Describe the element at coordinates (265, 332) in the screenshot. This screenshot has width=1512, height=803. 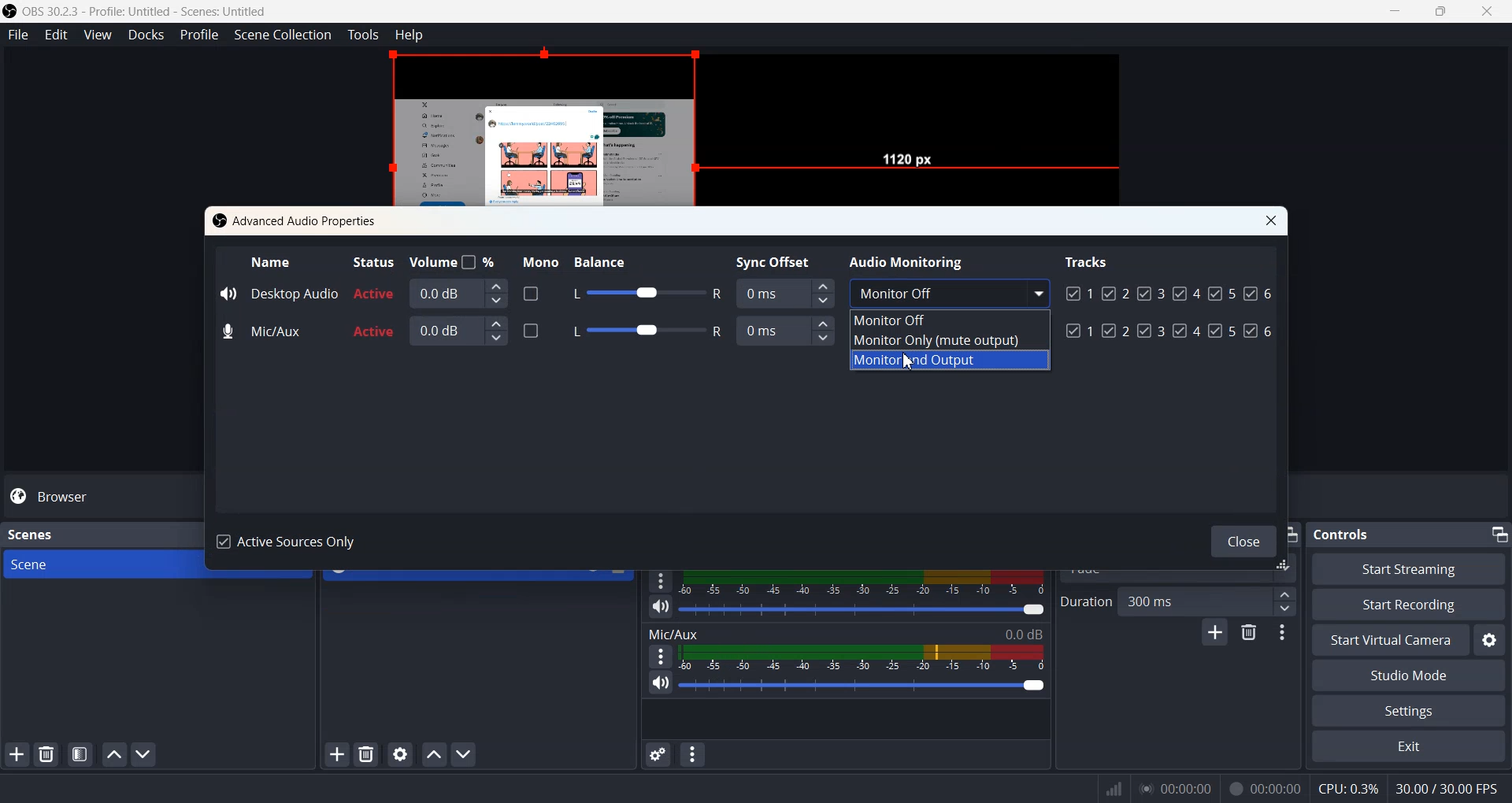
I see `Mic/Aux` at that location.